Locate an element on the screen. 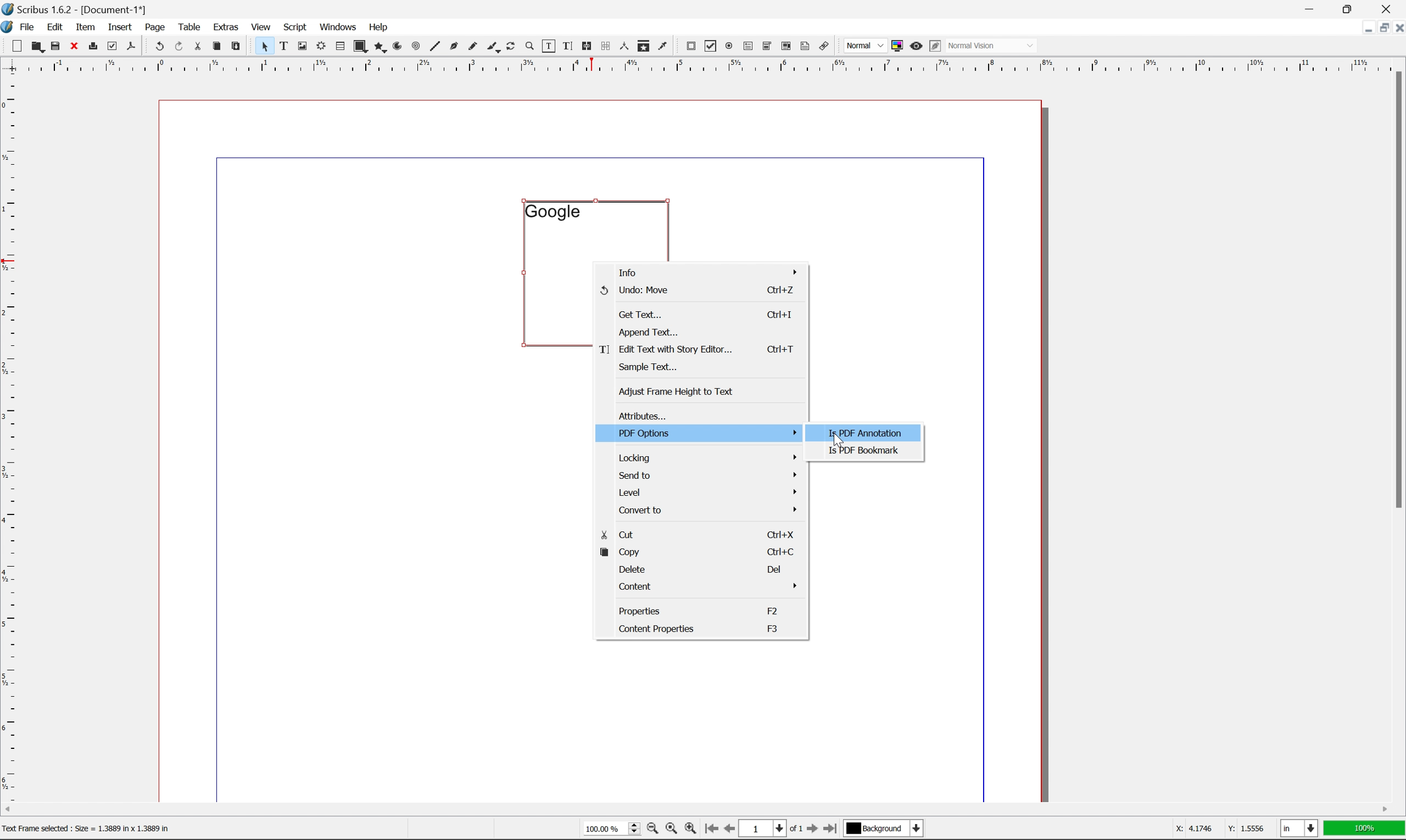 The height and width of the screenshot is (840, 1406). script is located at coordinates (295, 27).